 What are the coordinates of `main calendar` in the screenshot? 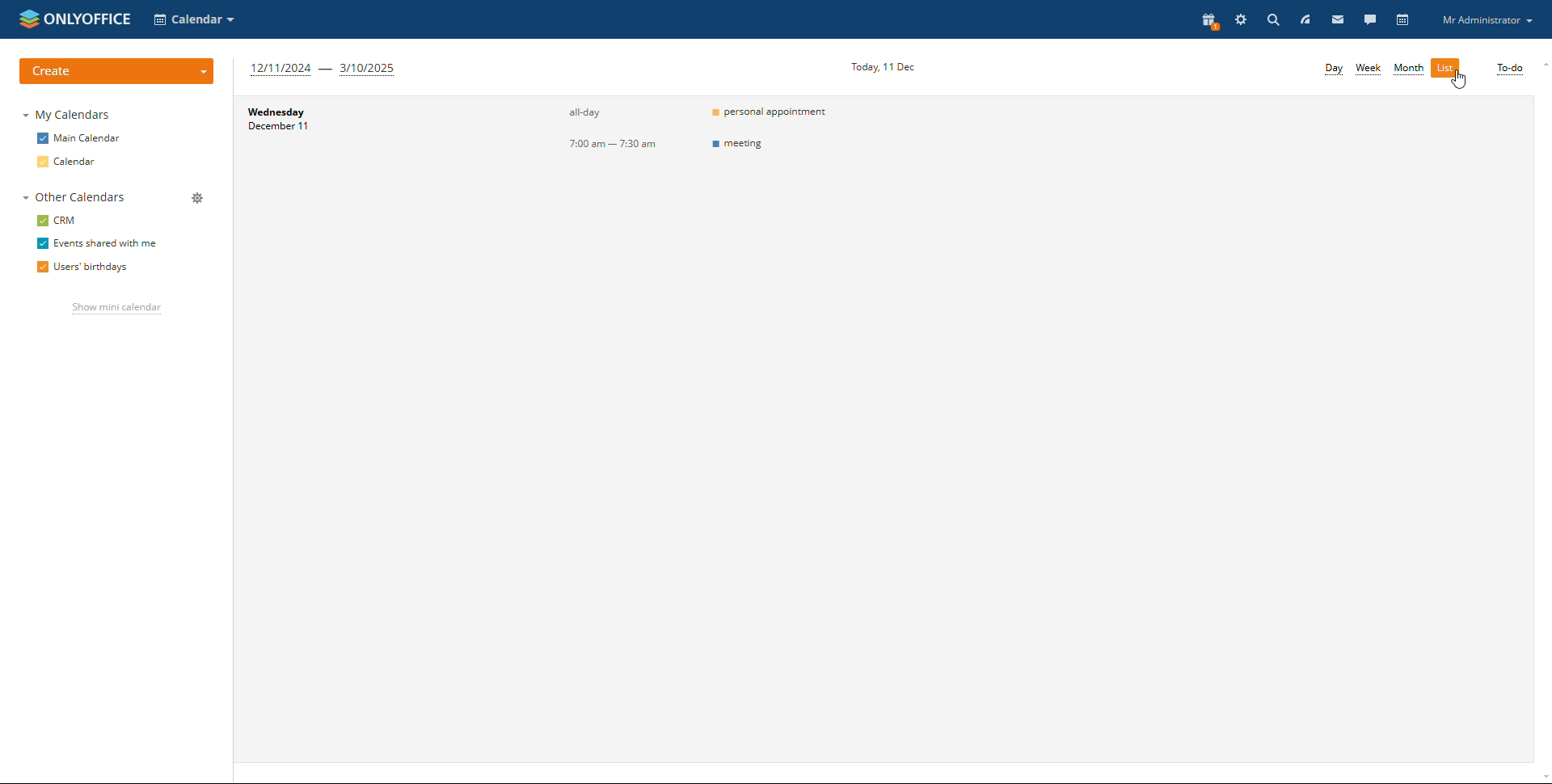 It's located at (80, 138).